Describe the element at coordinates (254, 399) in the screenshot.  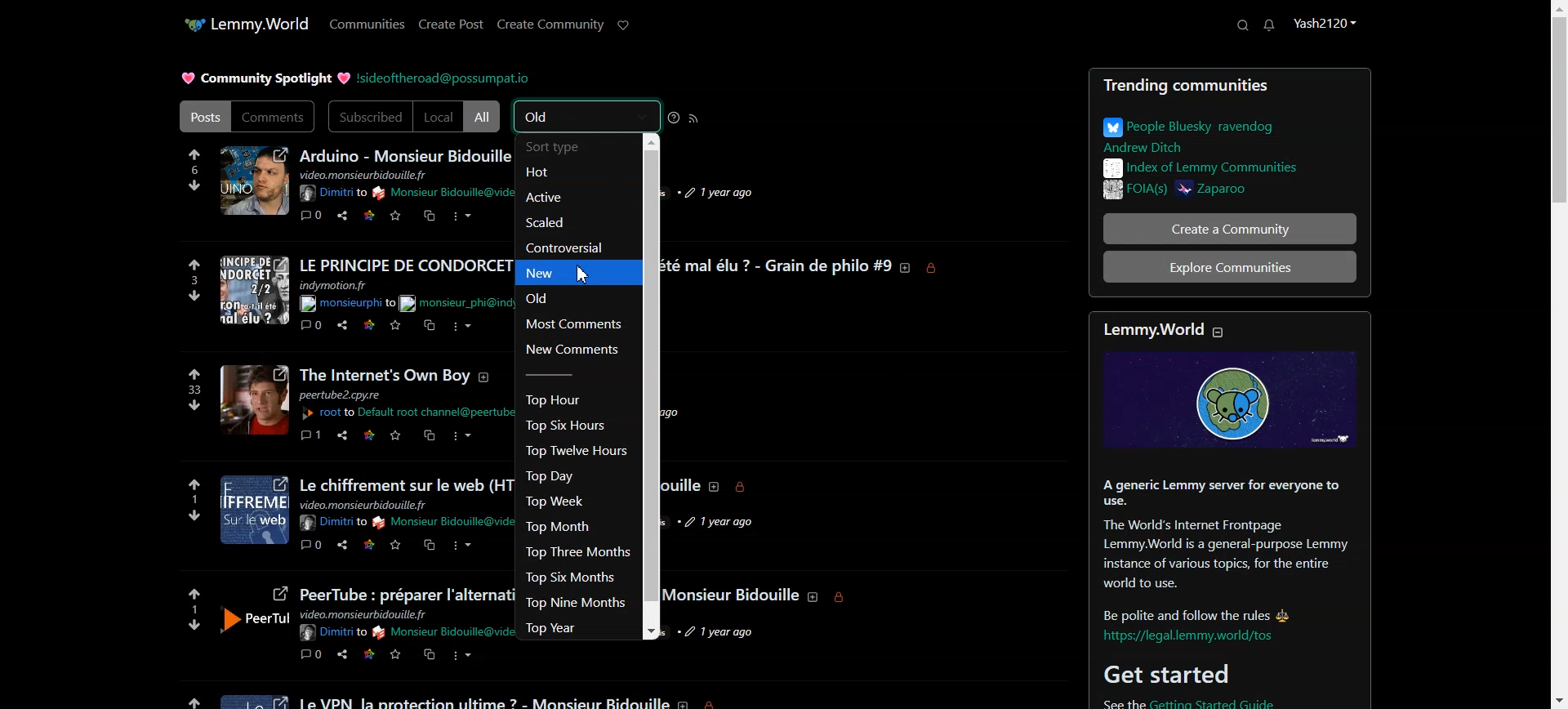
I see `` at that location.